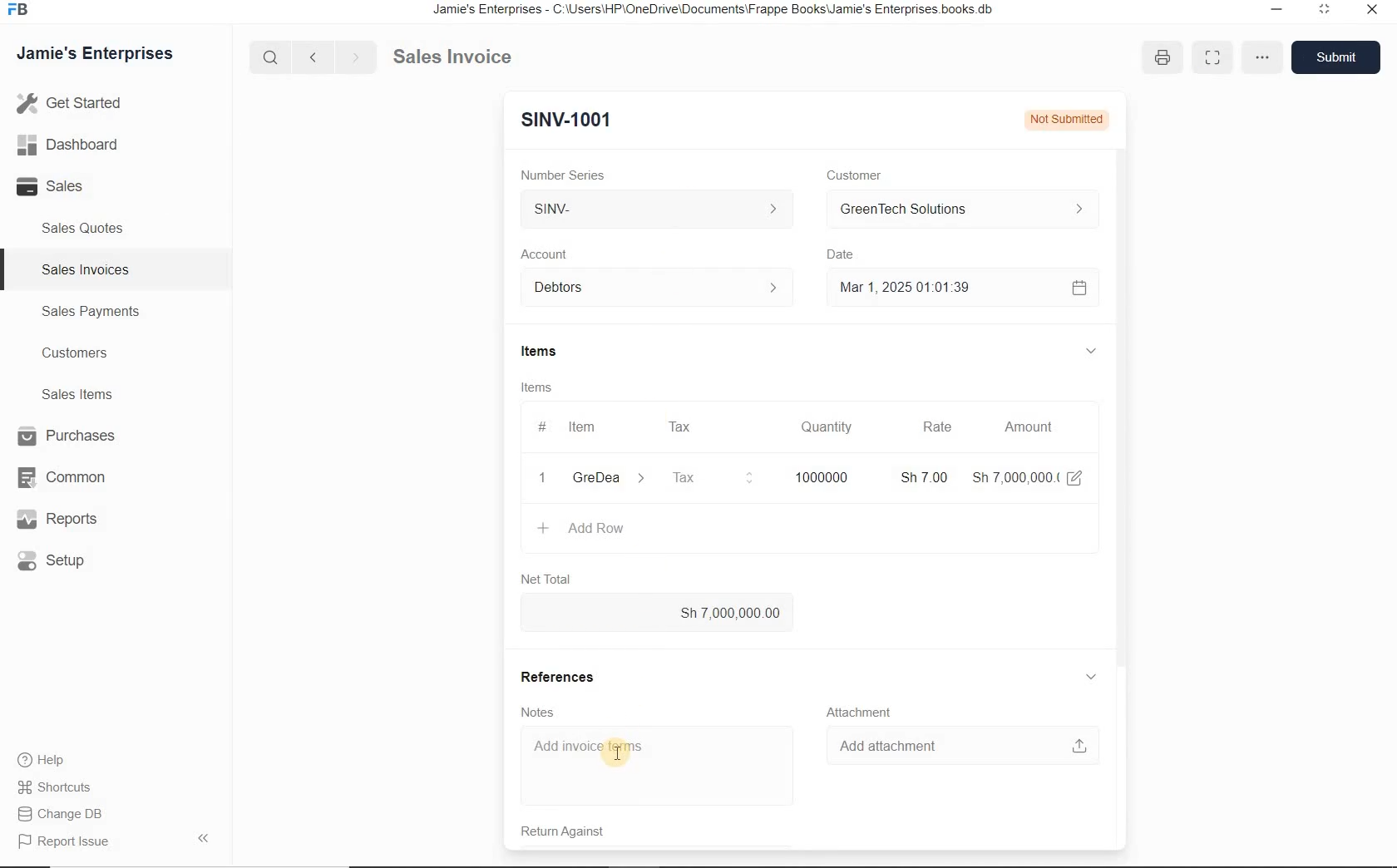  I want to click on vertical scrollbar, so click(1119, 387).